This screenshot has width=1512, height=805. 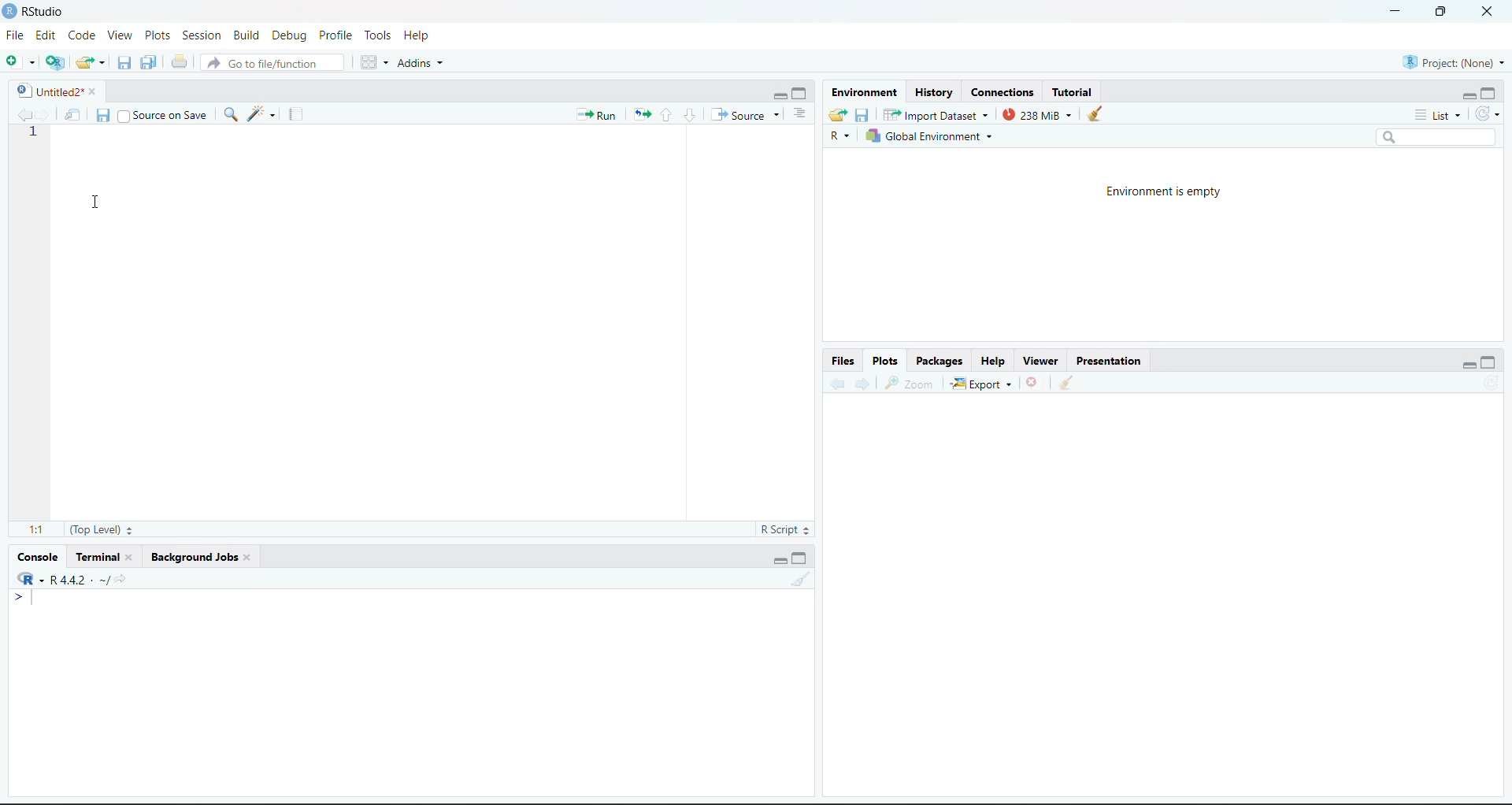 I want to click on clear, so click(x=250, y=557).